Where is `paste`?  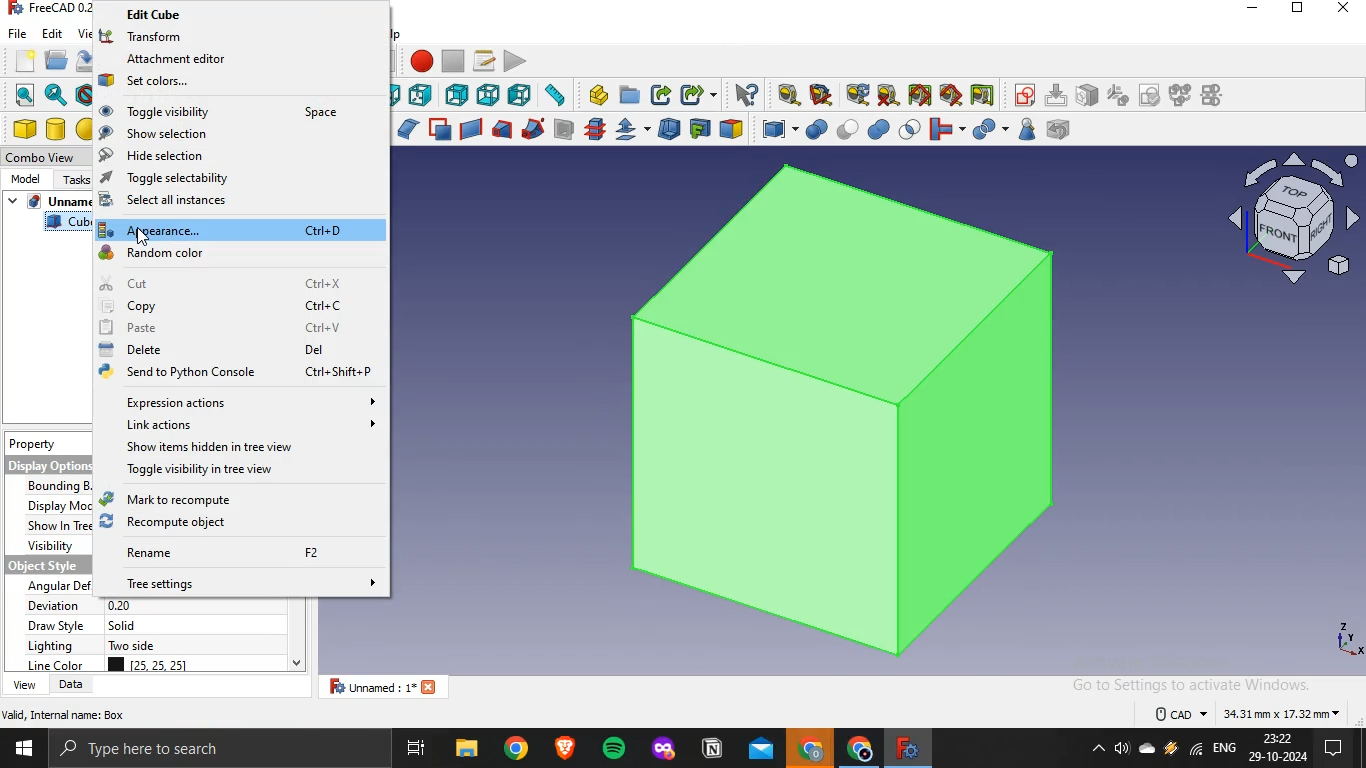
paste is located at coordinates (223, 328).